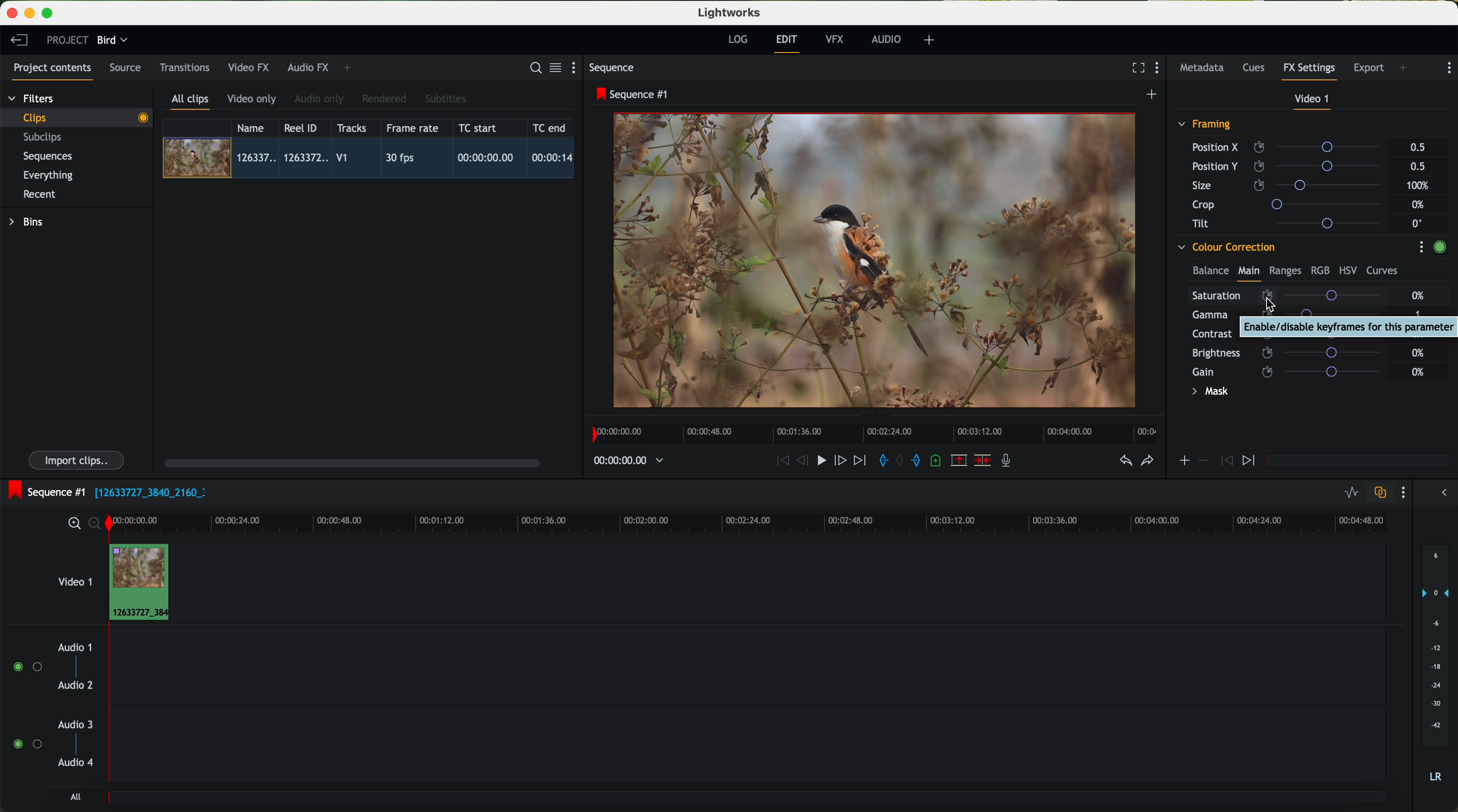  I want to click on Reel ID, so click(303, 127).